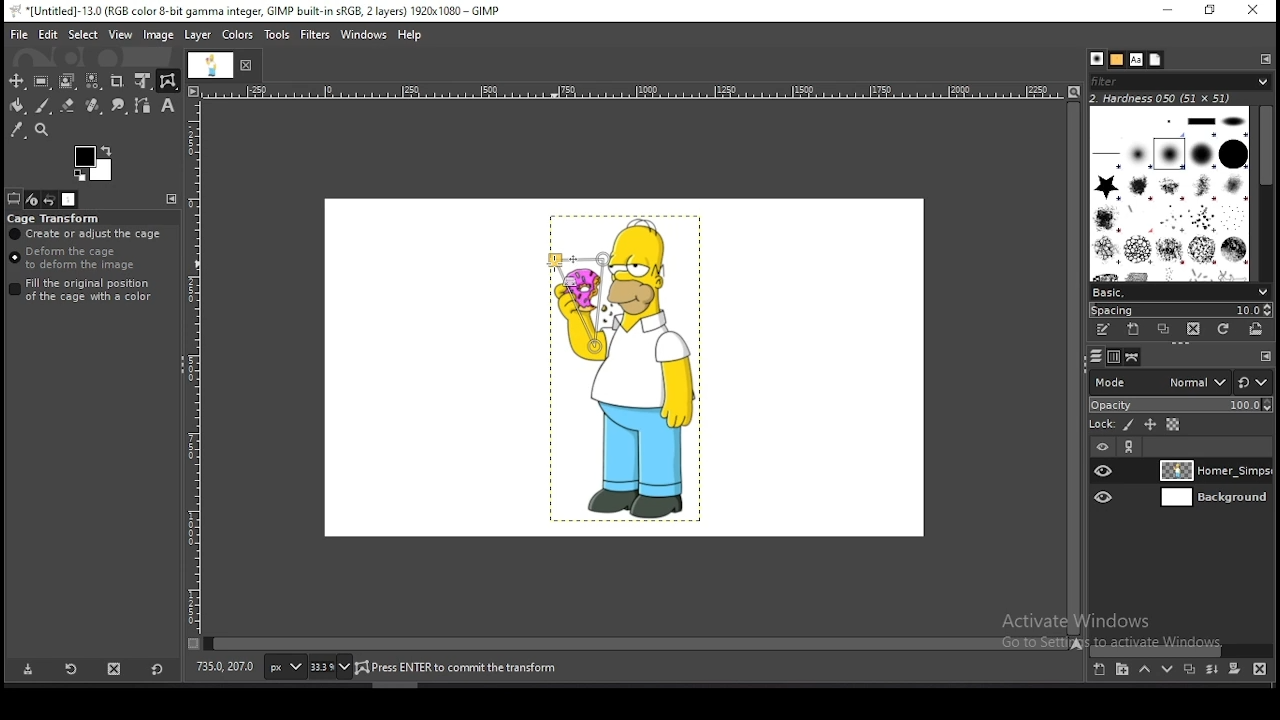  I want to click on configure this tab, so click(173, 200).